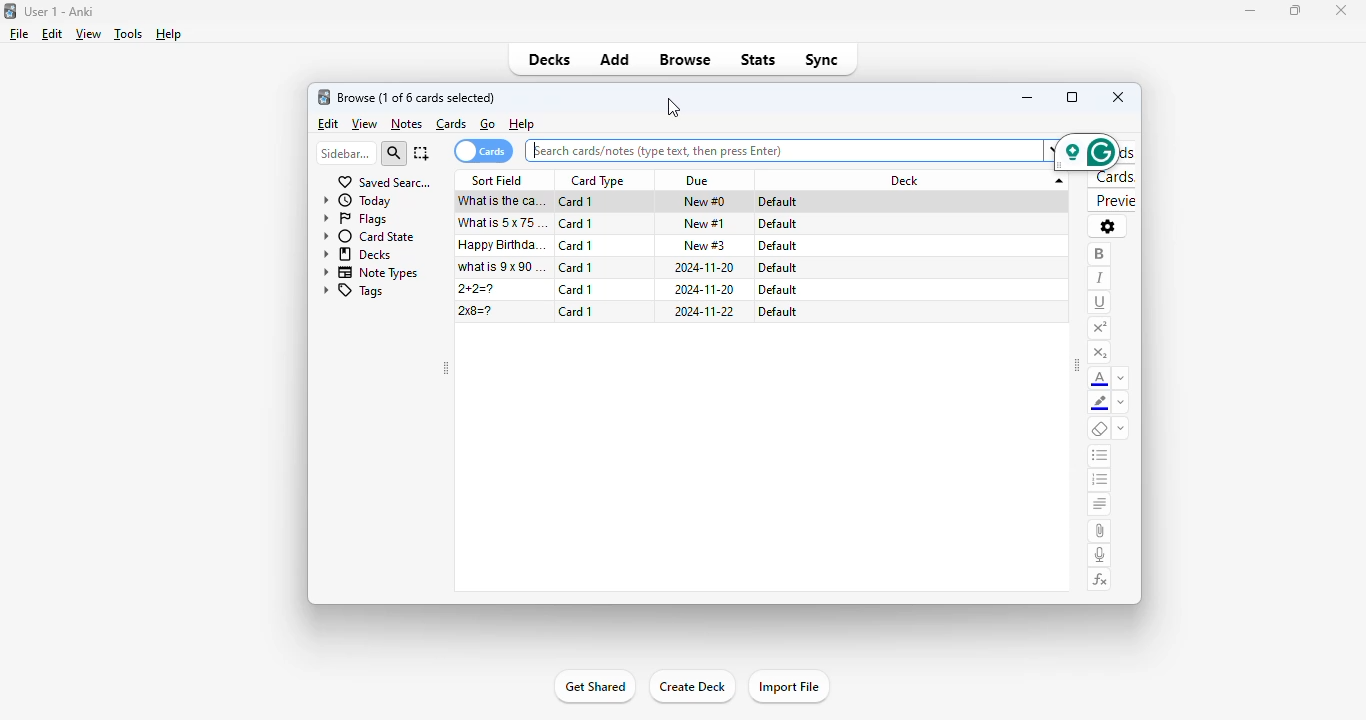  What do you see at coordinates (921, 181) in the screenshot?
I see `deck` at bounding box center [921, 181].